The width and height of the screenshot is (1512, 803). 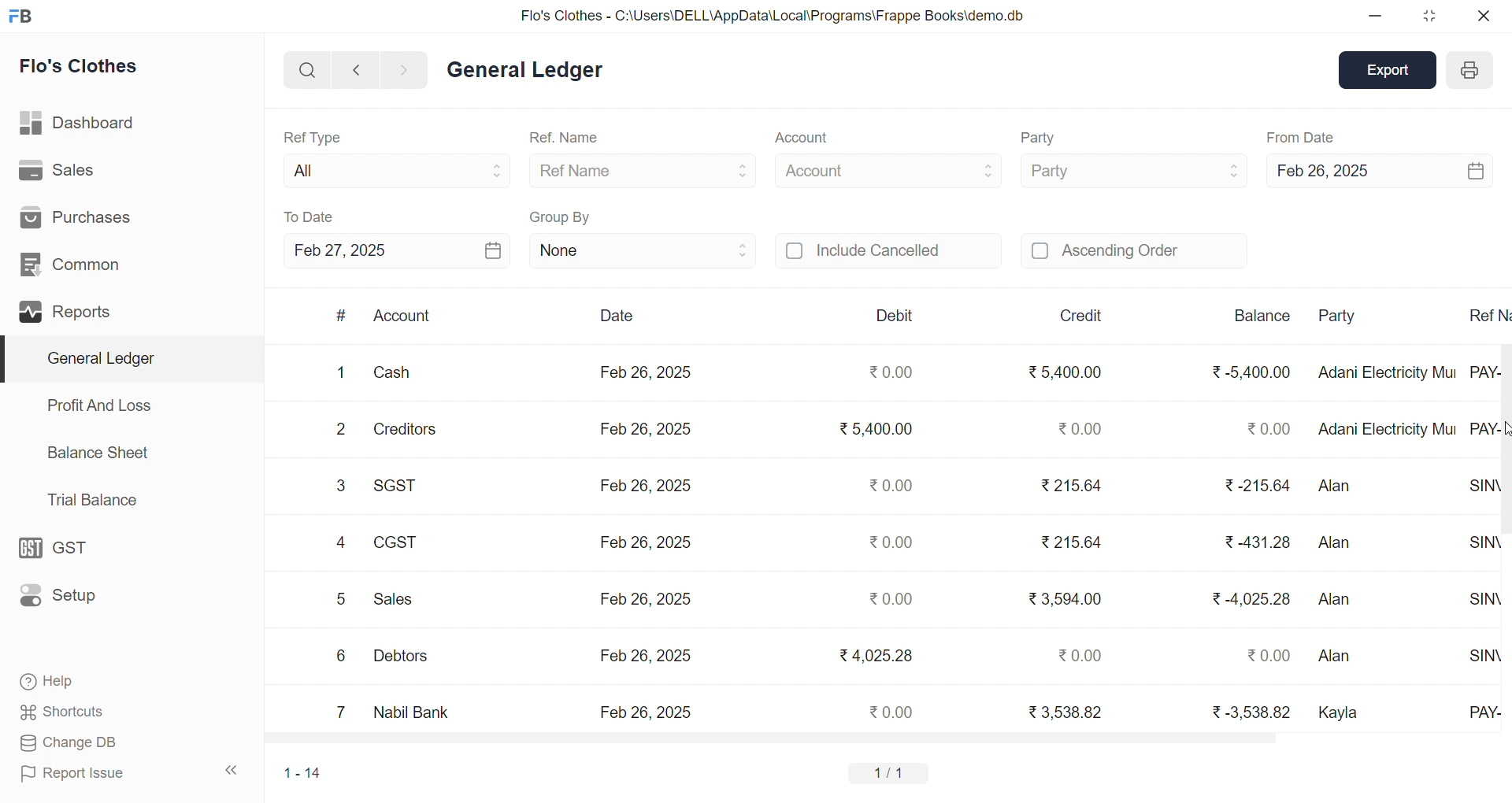 I want to click on Setup, so click(x=62, y=596).